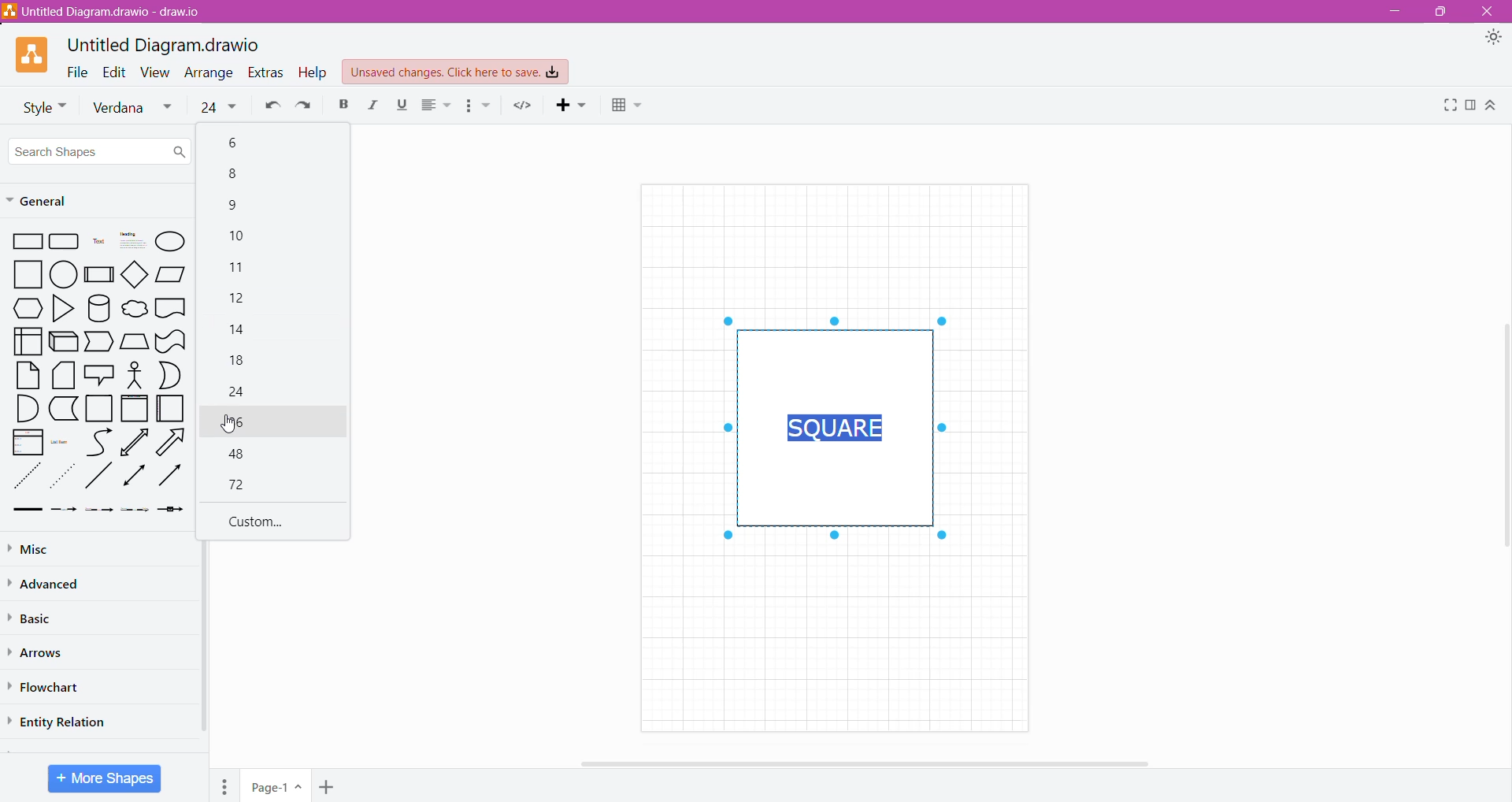 This screenshot has height=802, width=1512. Describe the element at coordinates (306, 108) in the screenshot. I see `Redo` at that location.